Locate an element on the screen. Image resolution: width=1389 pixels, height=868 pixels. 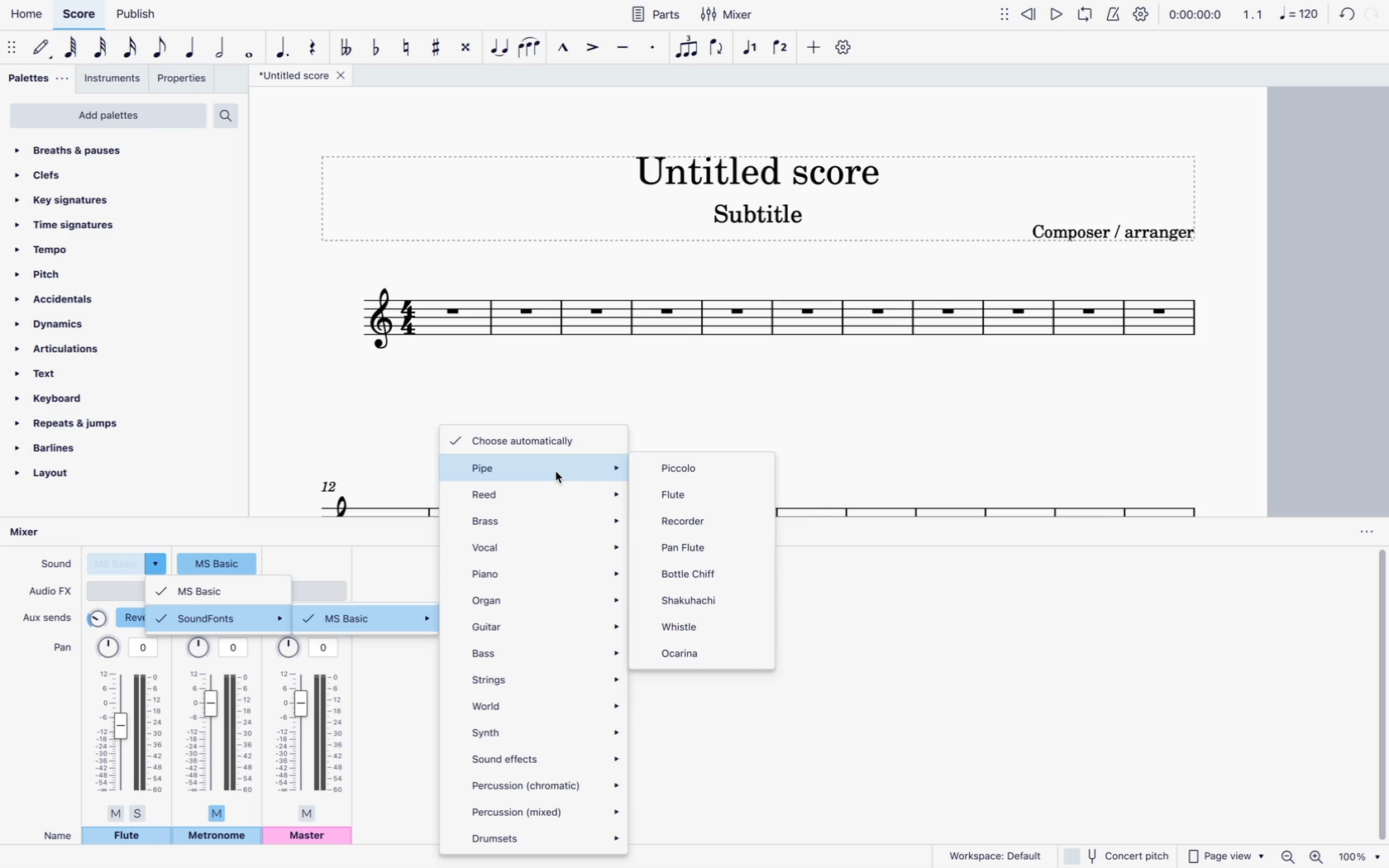
key signatures is located at coordinates (65, 199).